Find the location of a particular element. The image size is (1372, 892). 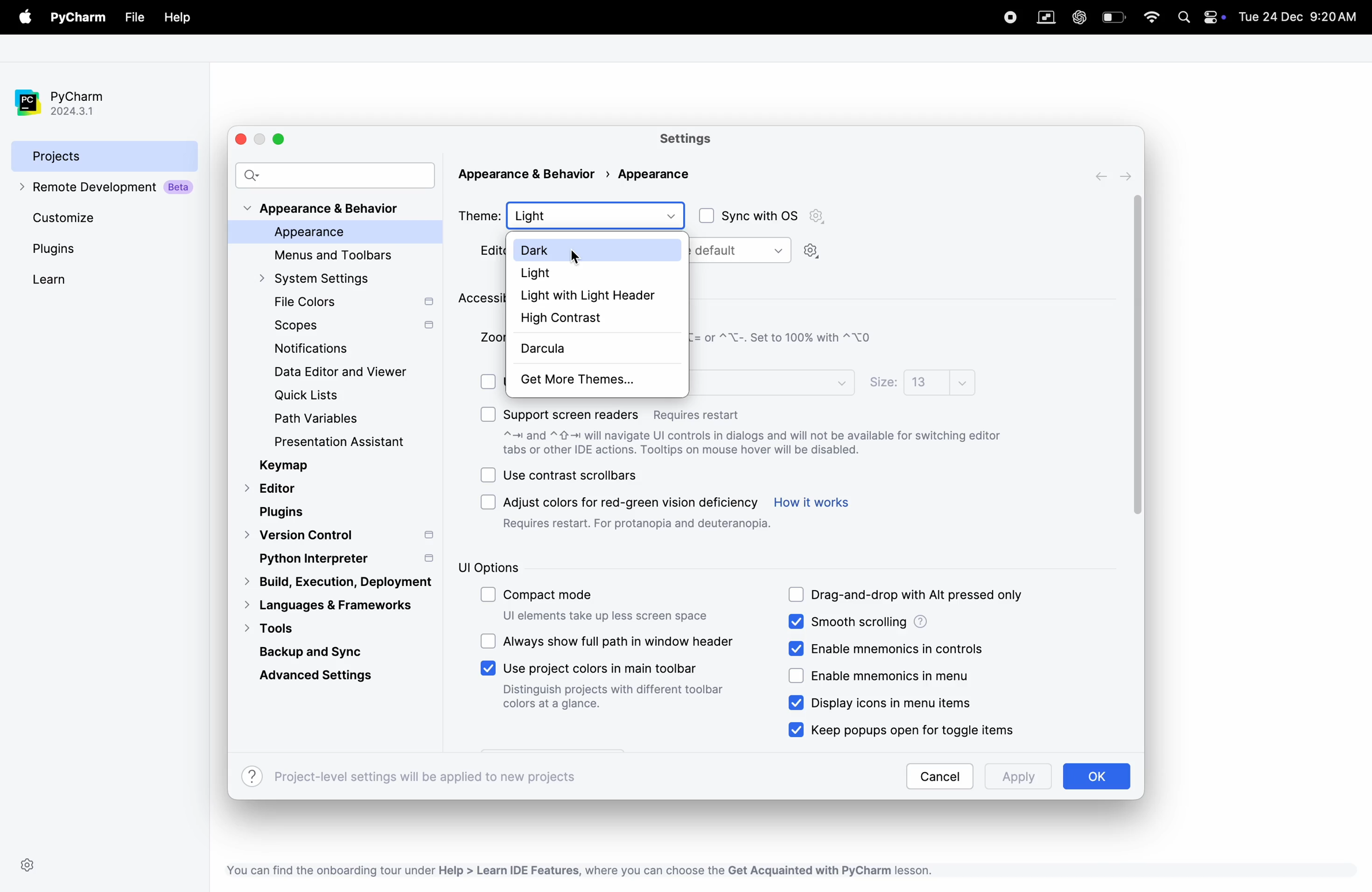

checkbox is located at coordinates (491, 379).